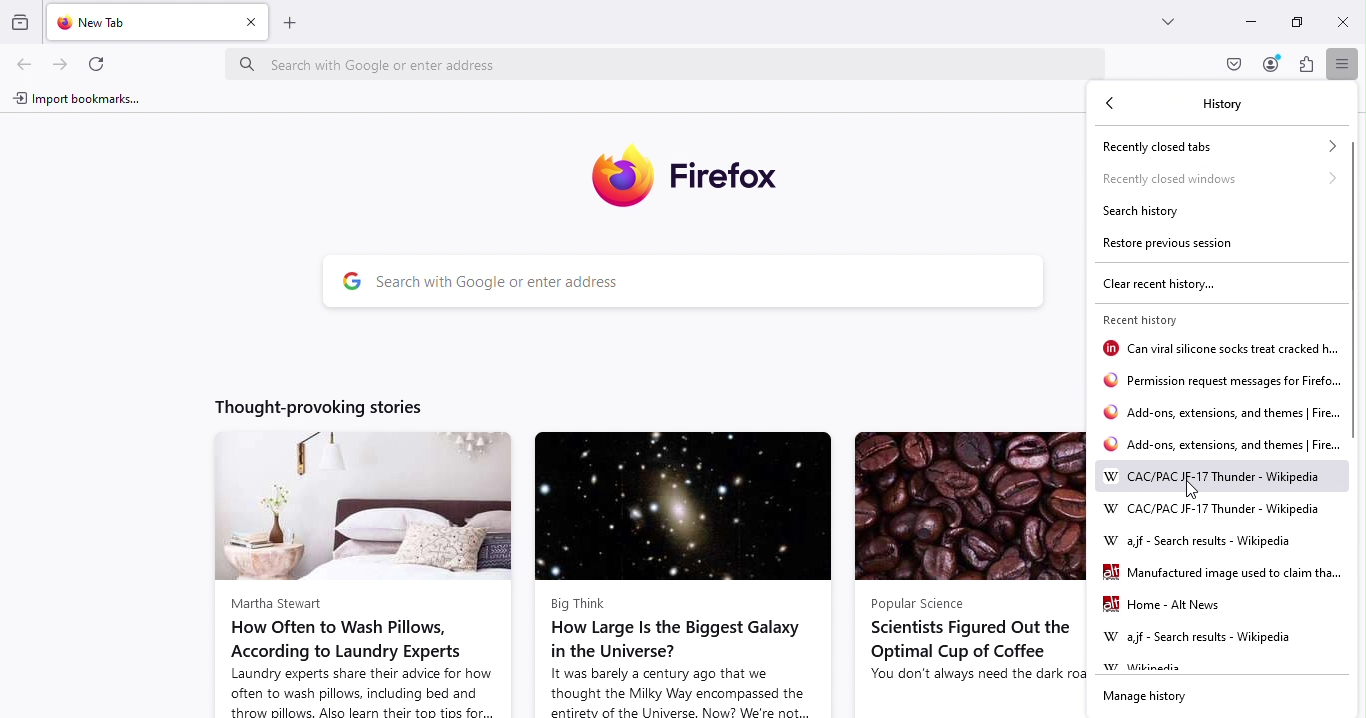  What do you see at coordinates (23, 22) in the screenshot?
I see `View recent browsing across windows and devices` at bounding box center [23, 22].